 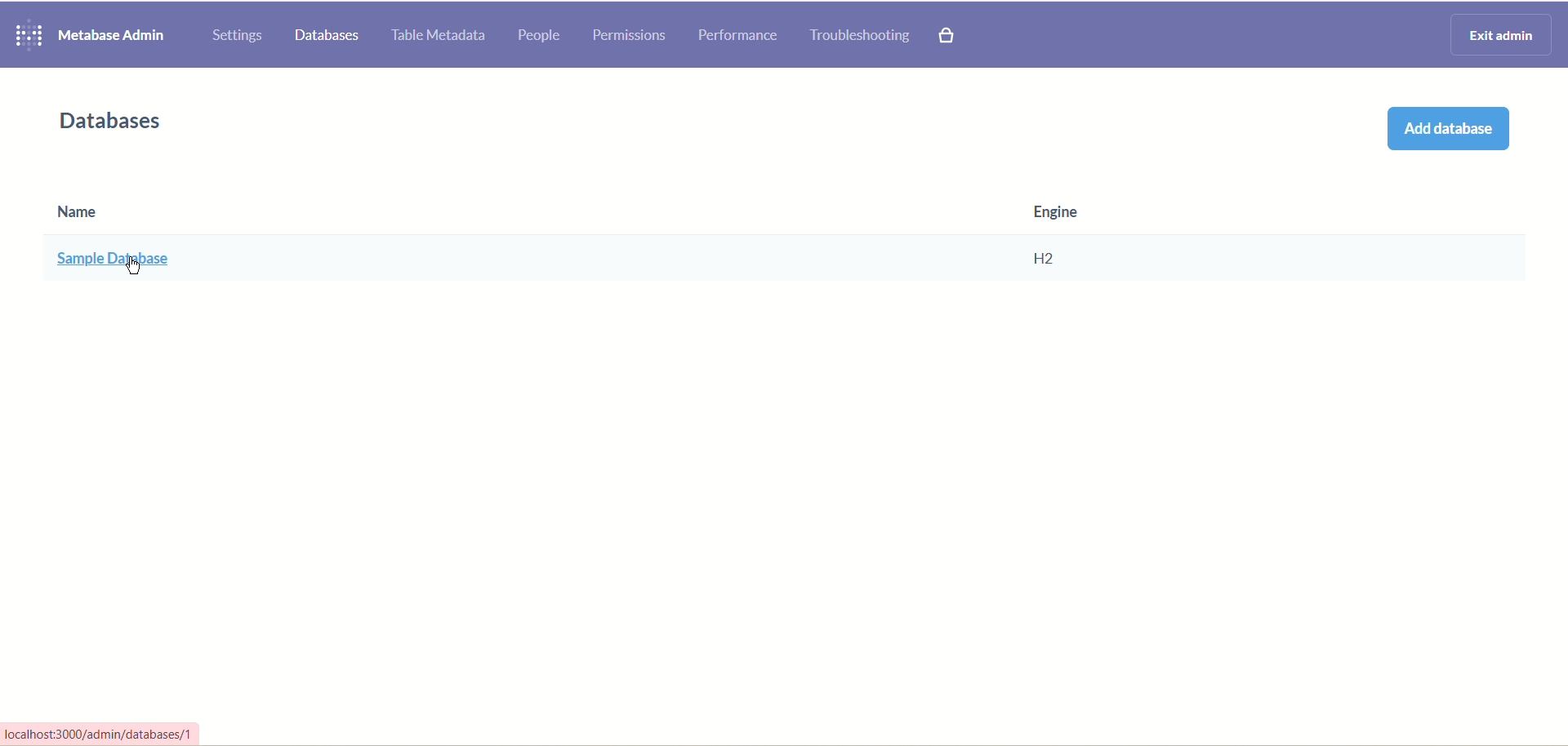 What do you see at coordinates (540, 37) in the screenshot?
I see `people` at bounding box center [540, 37].